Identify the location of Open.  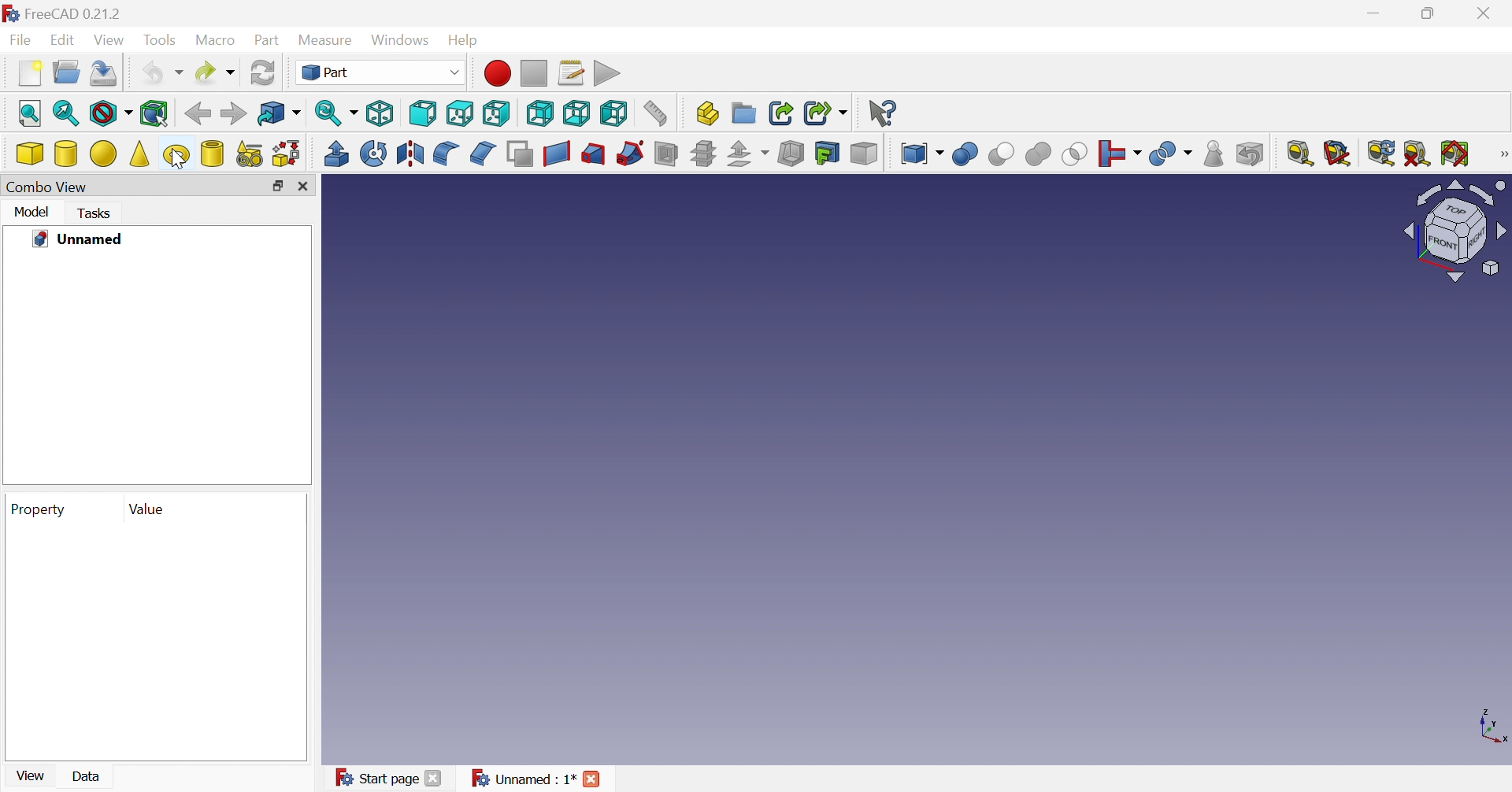
(65, 70).